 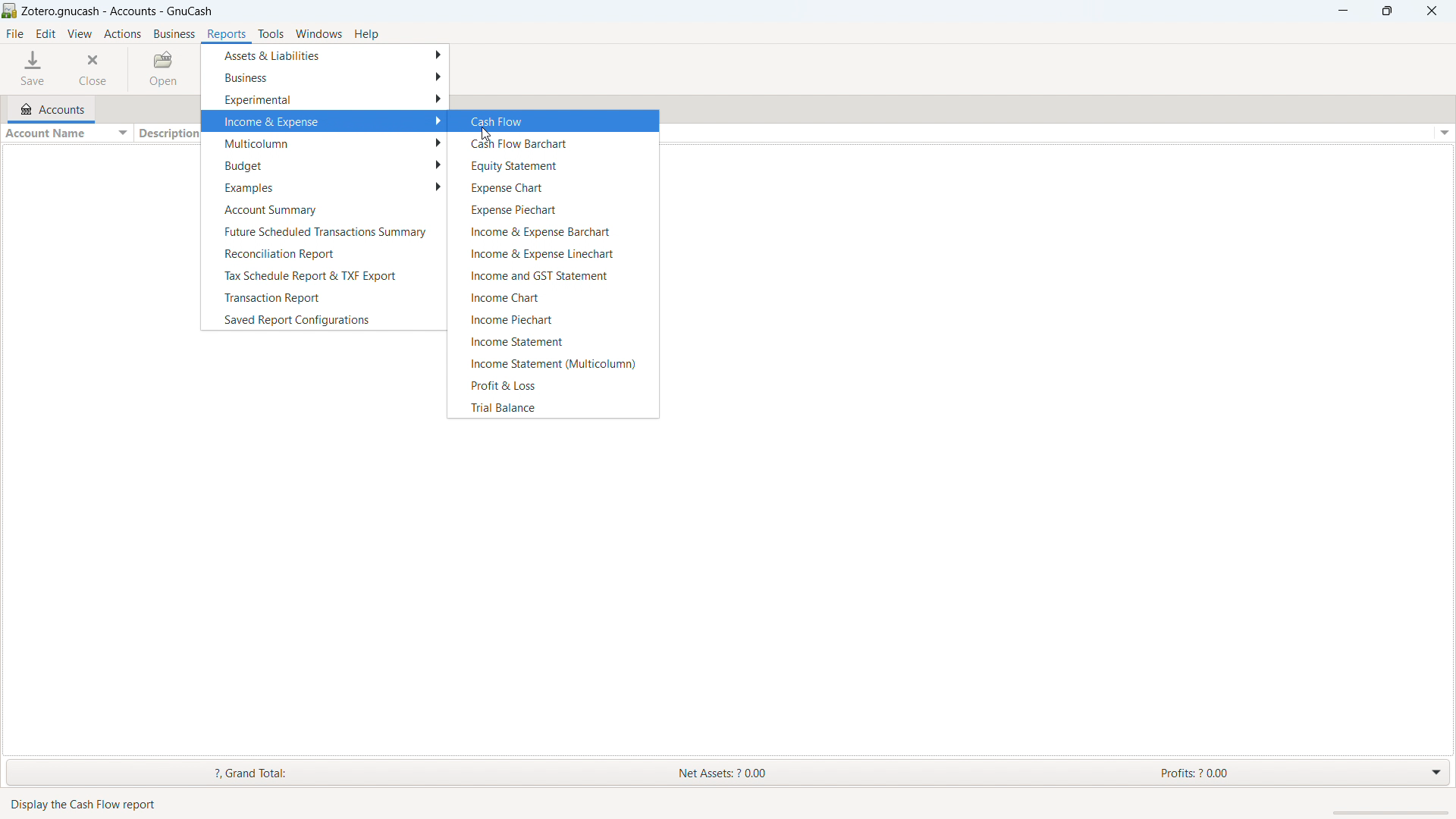 I want to click on title, so click(x=119, y=12).